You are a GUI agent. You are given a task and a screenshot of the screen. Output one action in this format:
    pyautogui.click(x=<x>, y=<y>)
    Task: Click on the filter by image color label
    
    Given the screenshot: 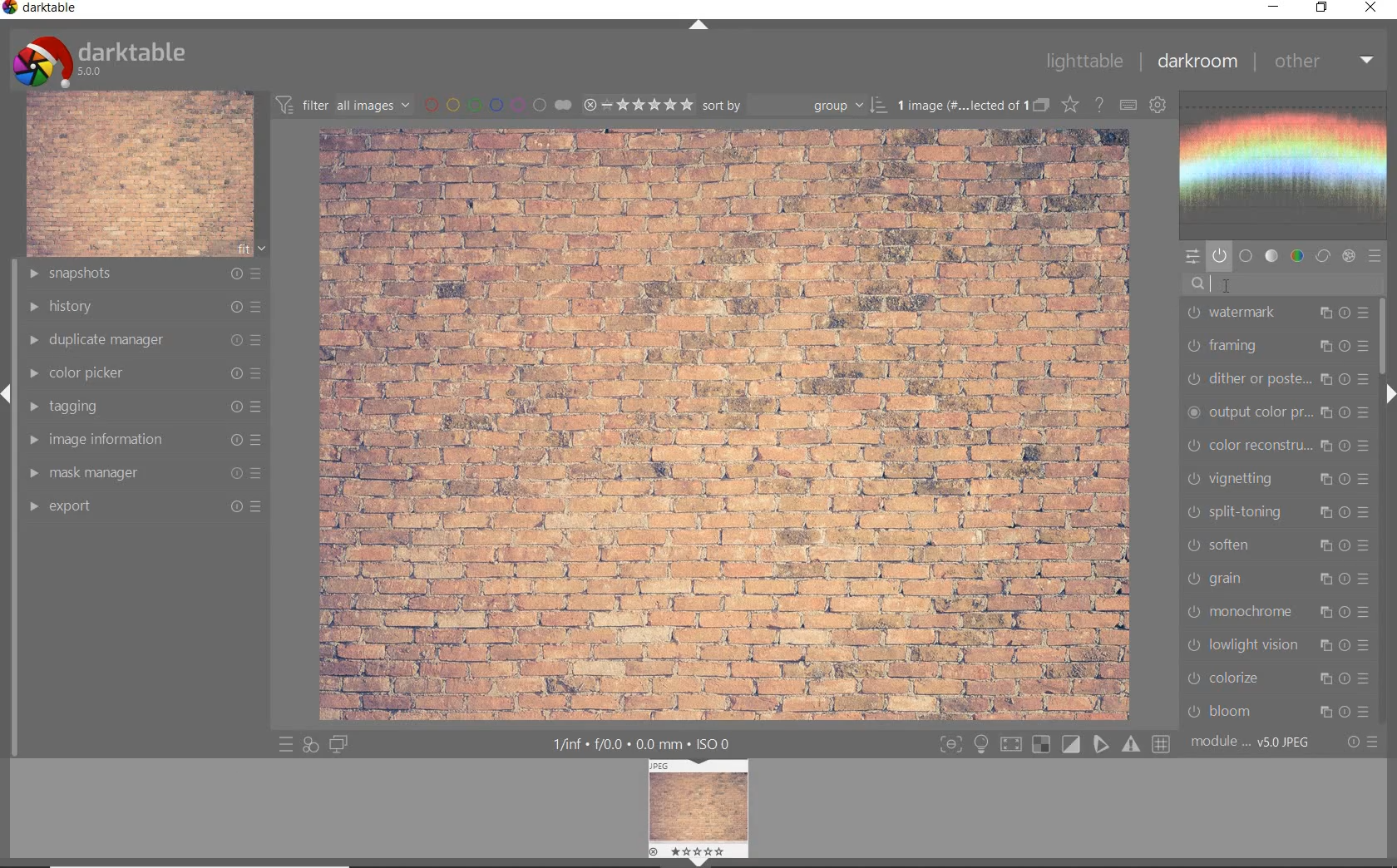 What is the action you would take?
    pyautogui.click(x=496, y=104)
    